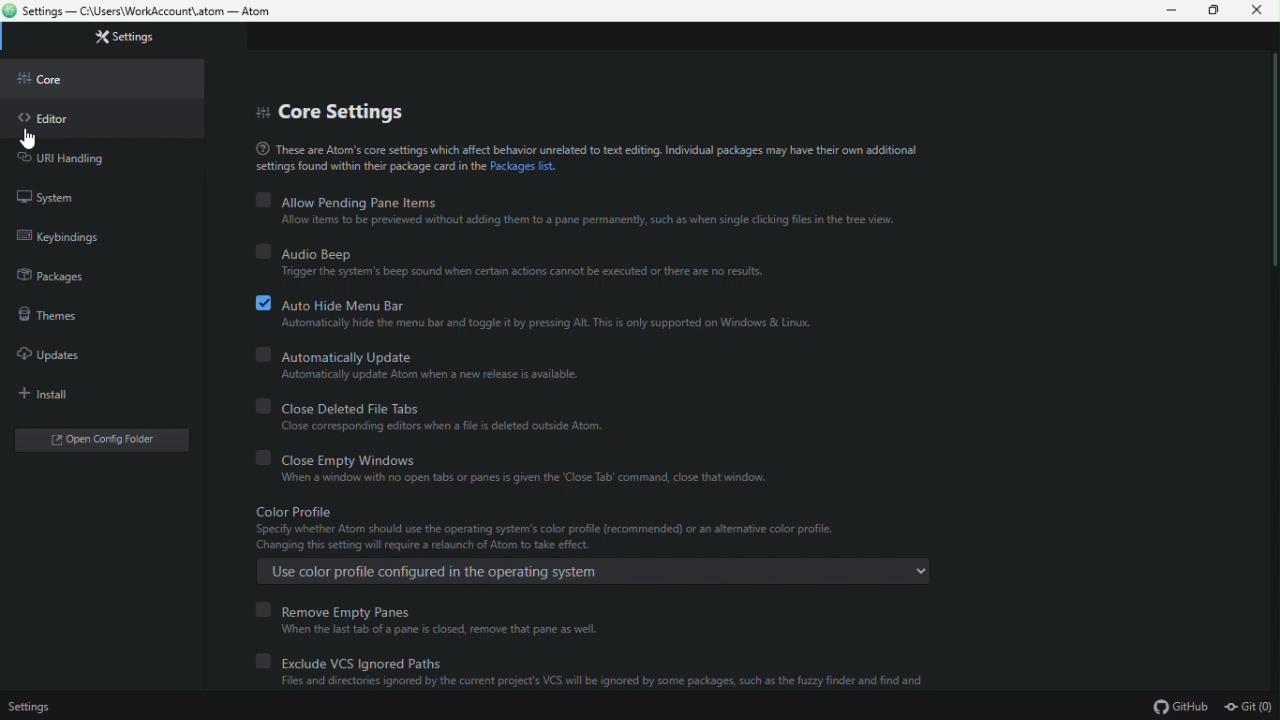 The width and height of the screenshot is (1280, 720). Describe the element at coordinates (448, 631) in the screenshot. I see `‘When the last tab of a pane is closed, remove that pane as well.` at that location.